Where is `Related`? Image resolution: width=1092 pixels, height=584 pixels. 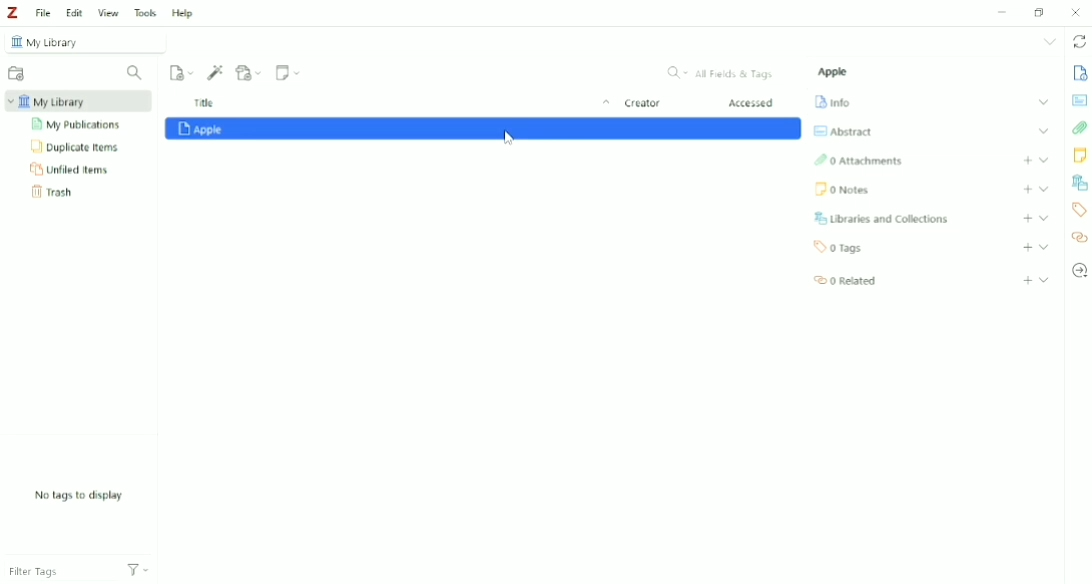 Related is located at coordinates (1080, 237).